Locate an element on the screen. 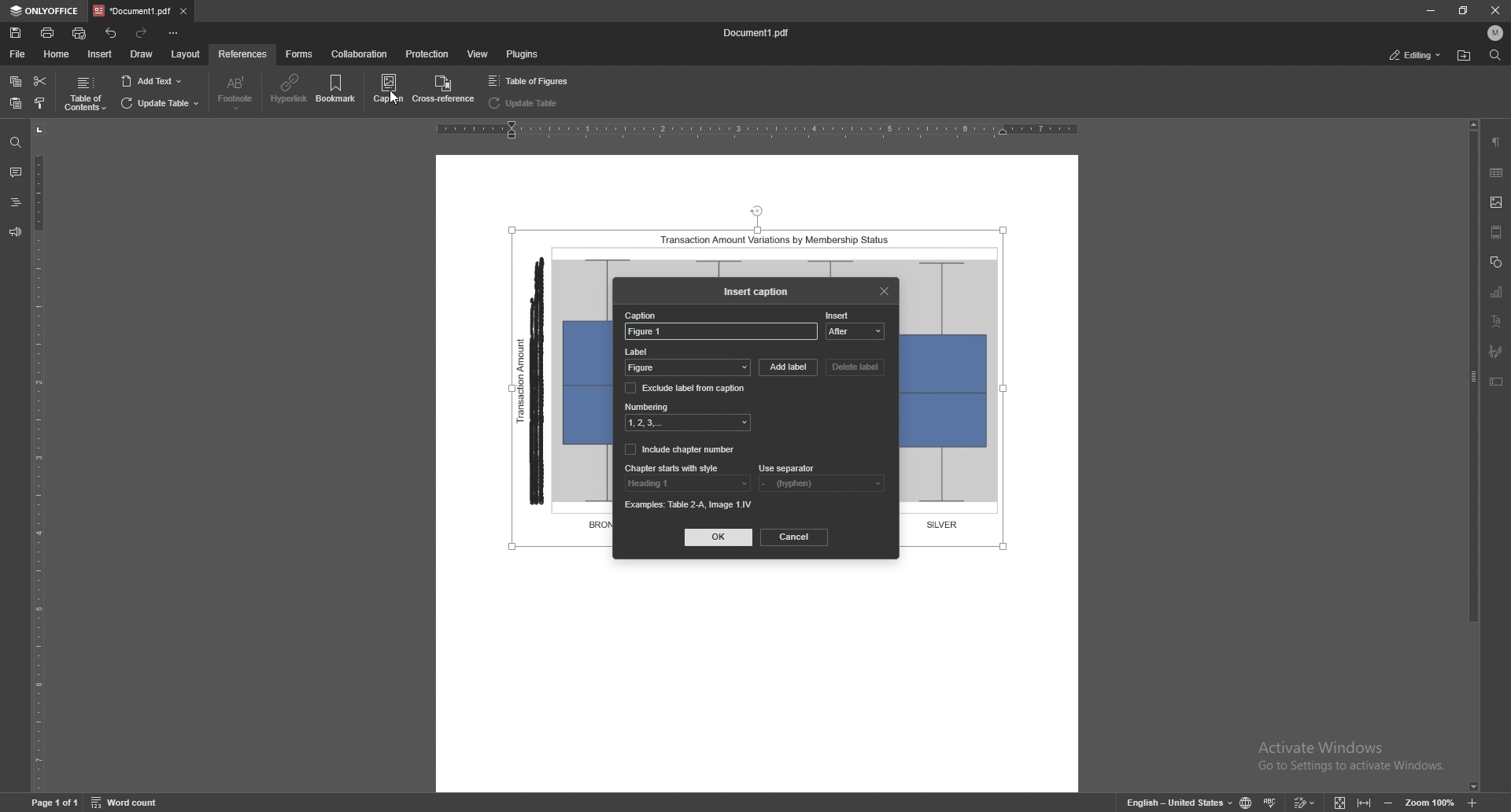  separator is located at coordinates (820, 483).